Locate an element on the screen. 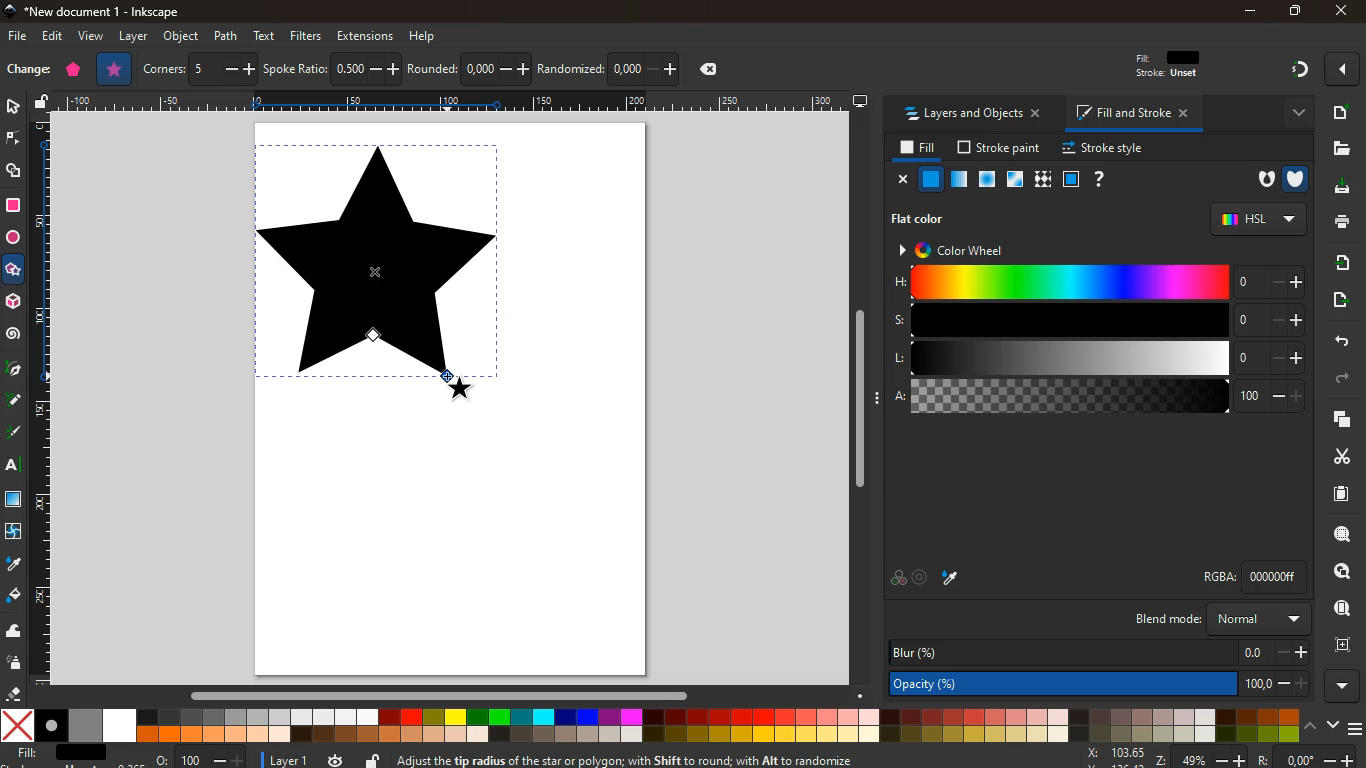  3d tool is located at coordinates (13, 302).